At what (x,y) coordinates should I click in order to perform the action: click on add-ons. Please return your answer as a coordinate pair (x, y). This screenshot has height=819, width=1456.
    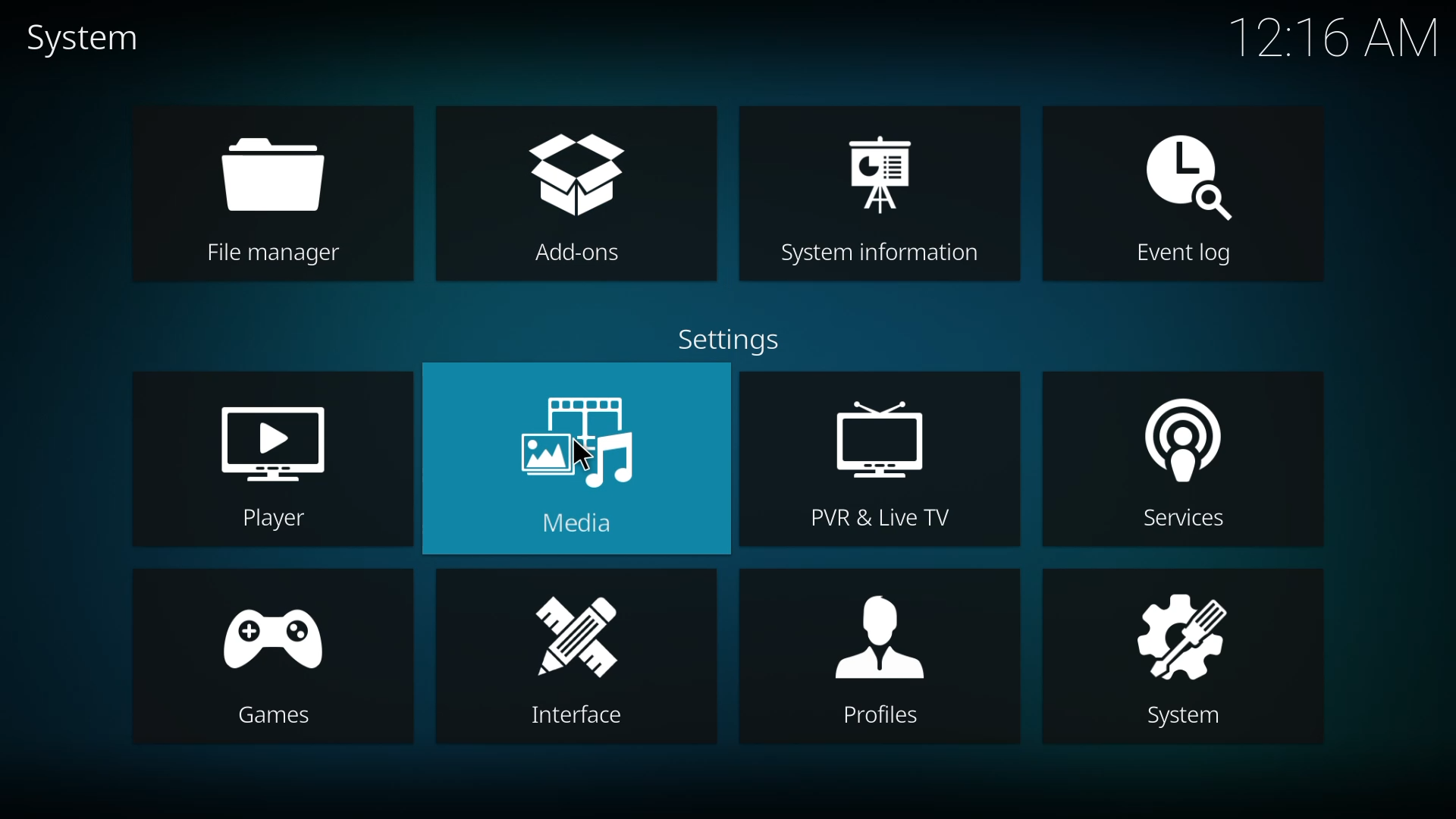
    Looking at the image, I should click on (578, 177).